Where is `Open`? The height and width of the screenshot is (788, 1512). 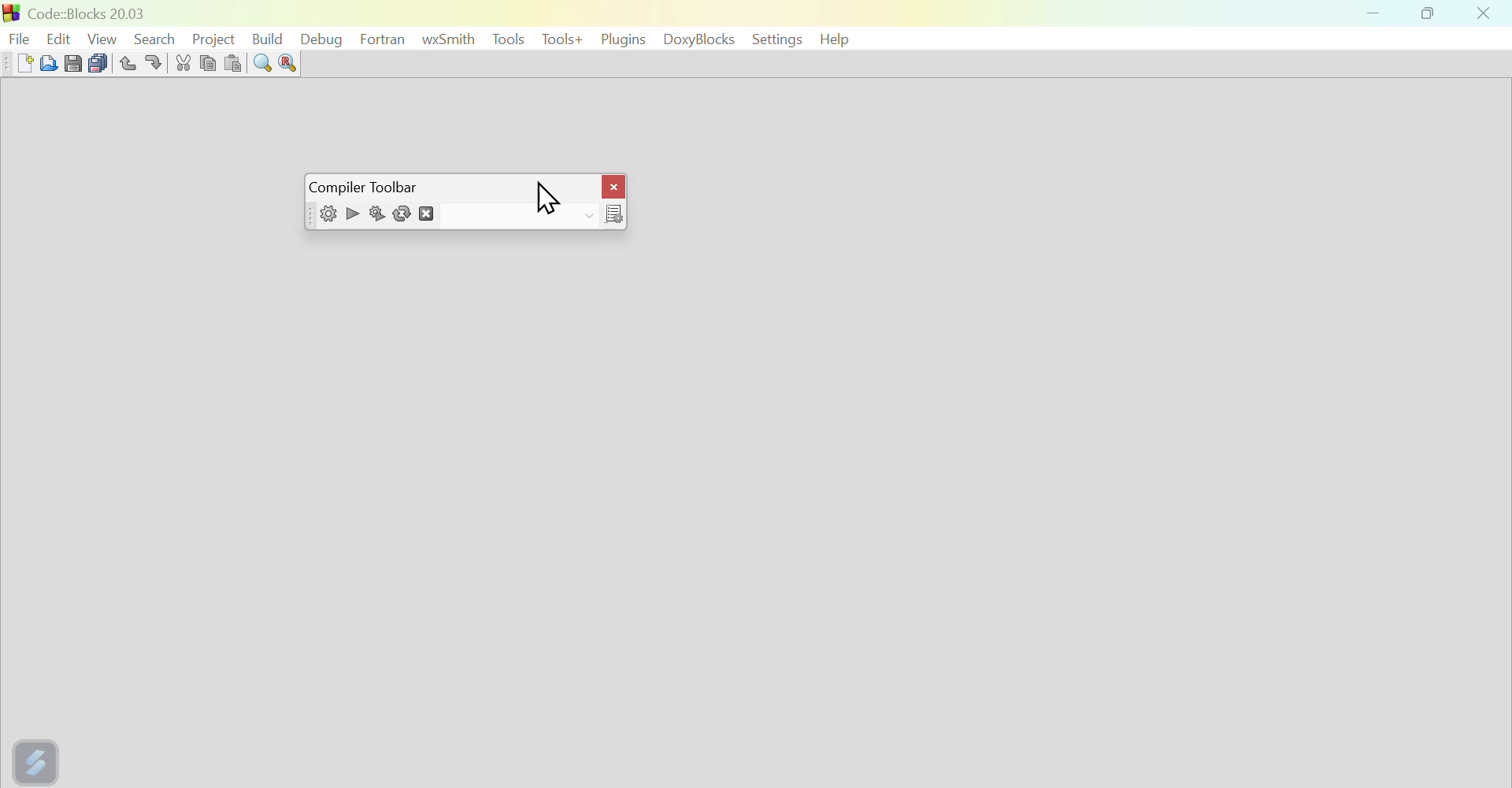
Open is located at coordinates (46, 62).